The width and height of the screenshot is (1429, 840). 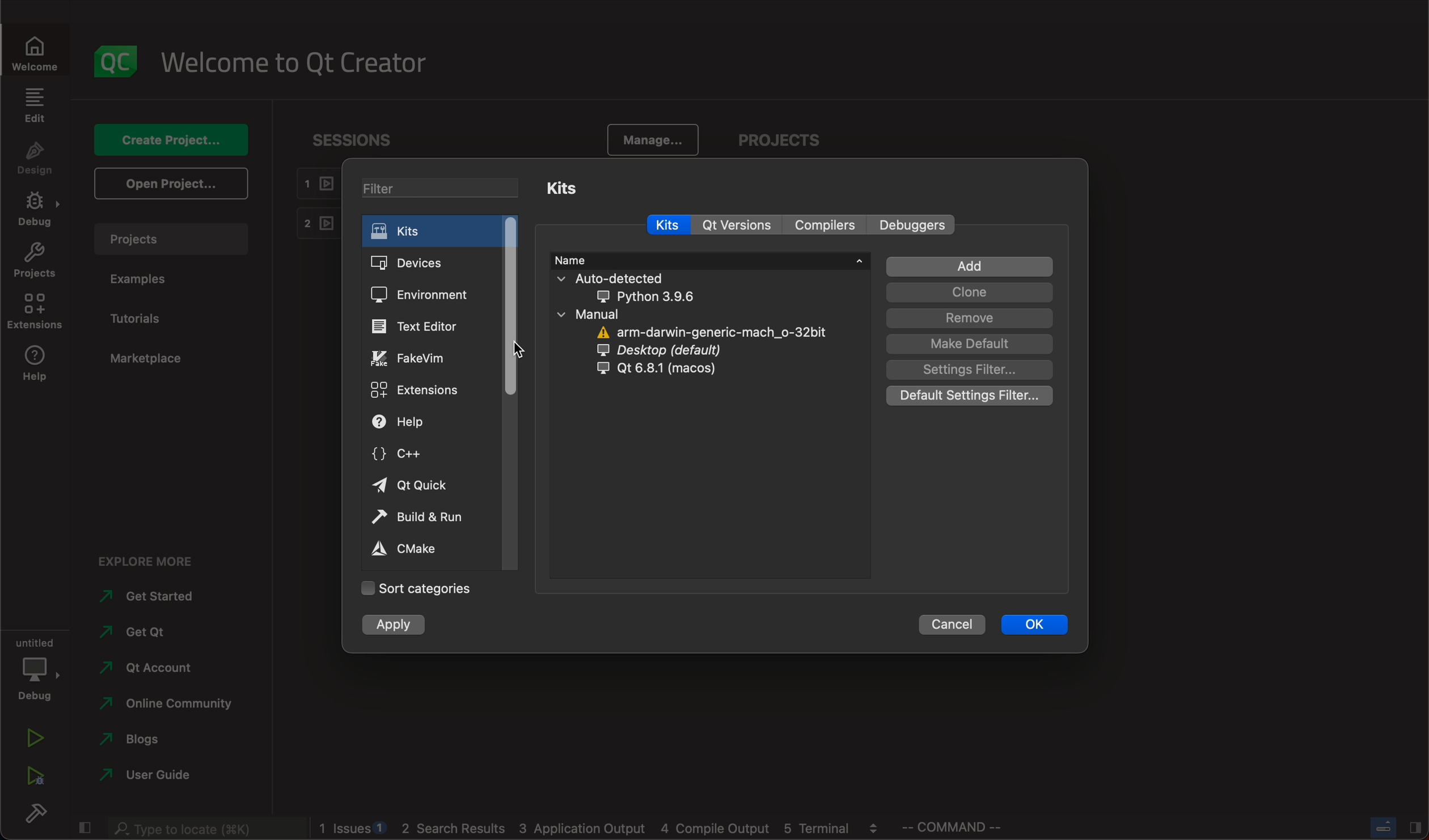 I want to click on cmake, so click(x=413, y=547).